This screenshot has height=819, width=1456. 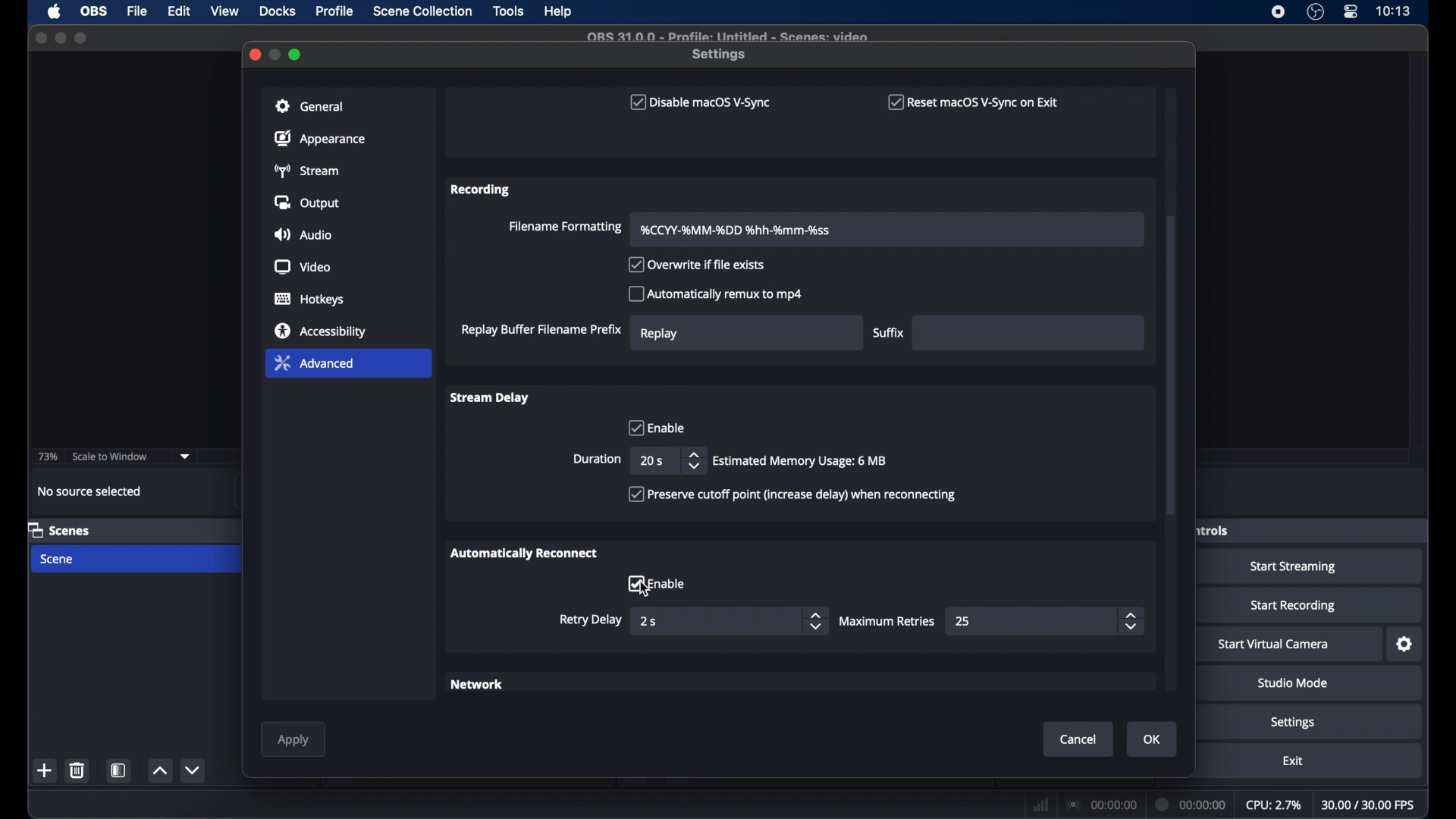 What do you see at coordinates (111, 456) in the screenshot?
I see `scale to window` at bounding box center [111, 456].